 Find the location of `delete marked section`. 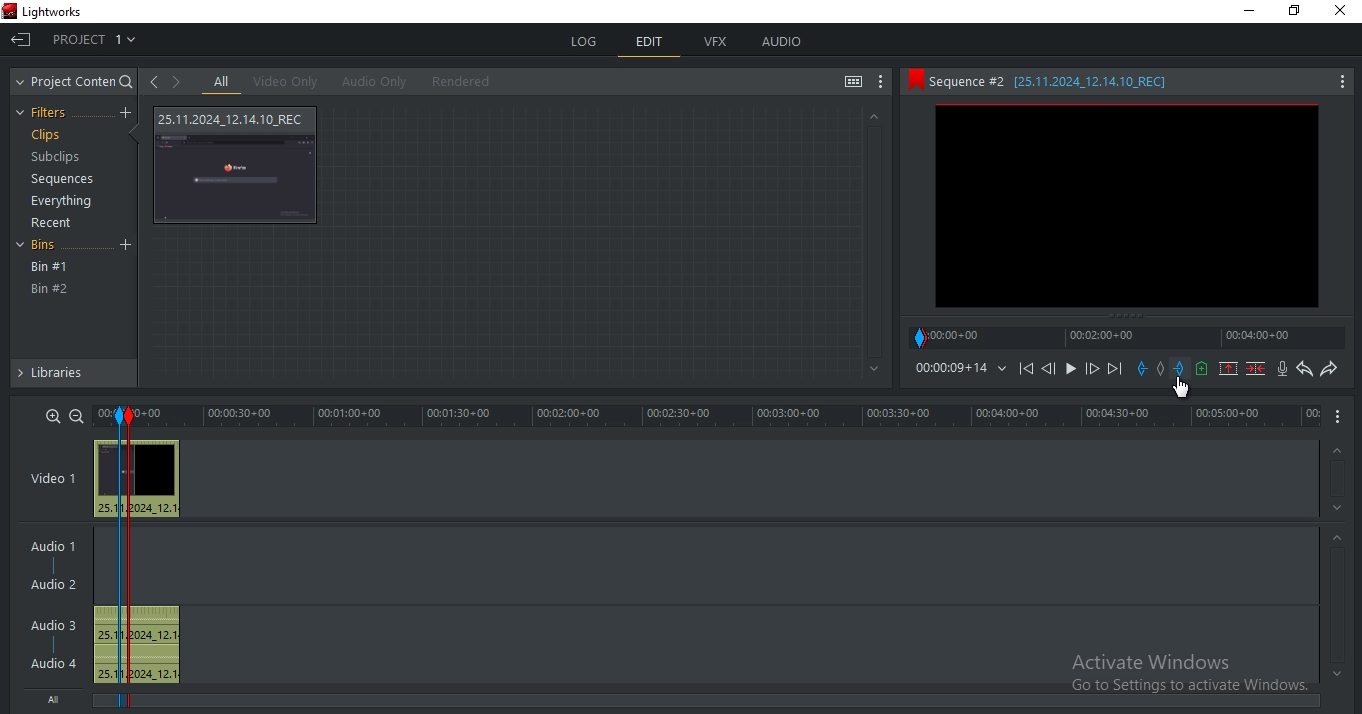

delete marked section is located at coordinates (1256, 369).